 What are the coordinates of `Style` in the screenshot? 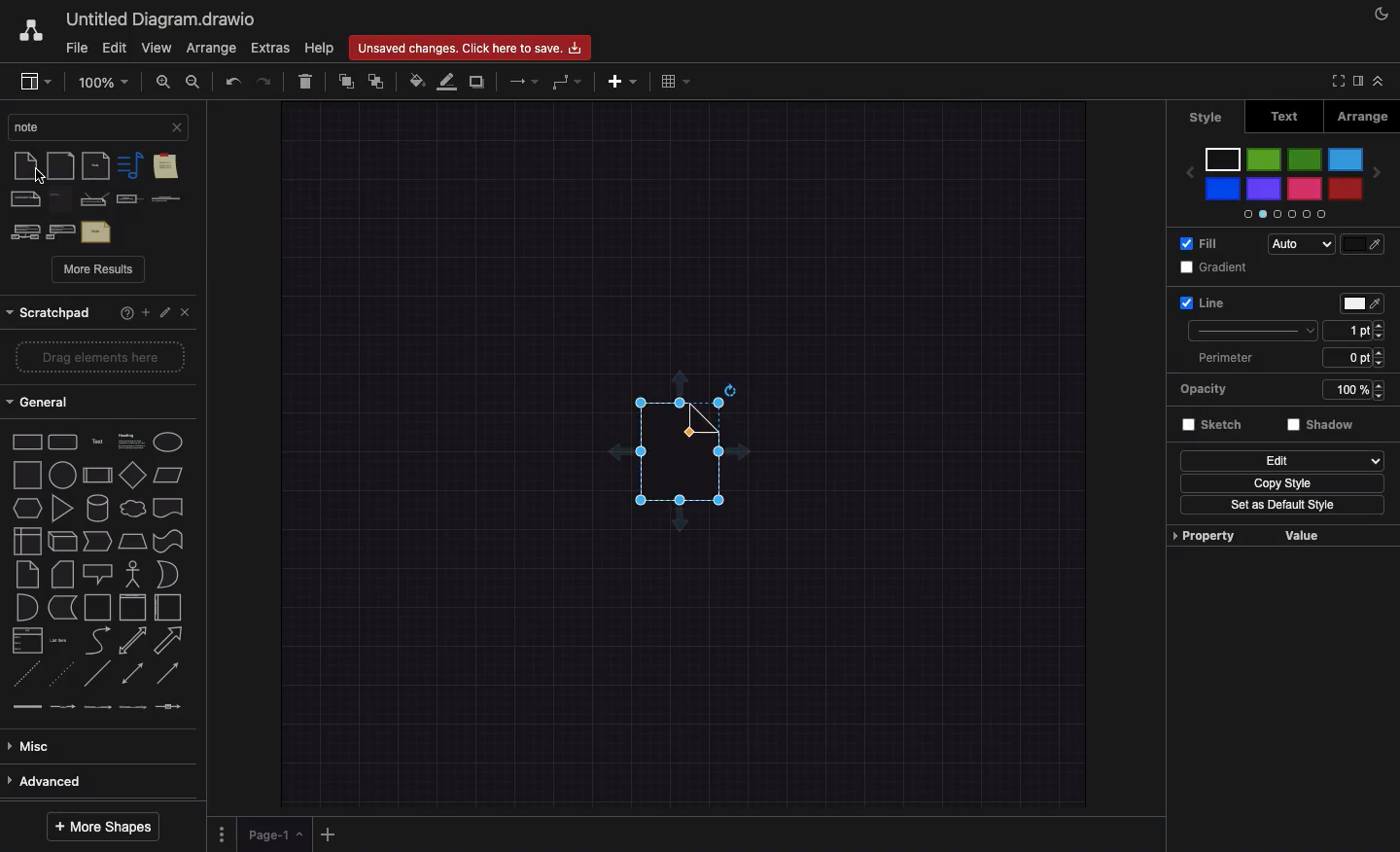 It's located at (1207, 118).